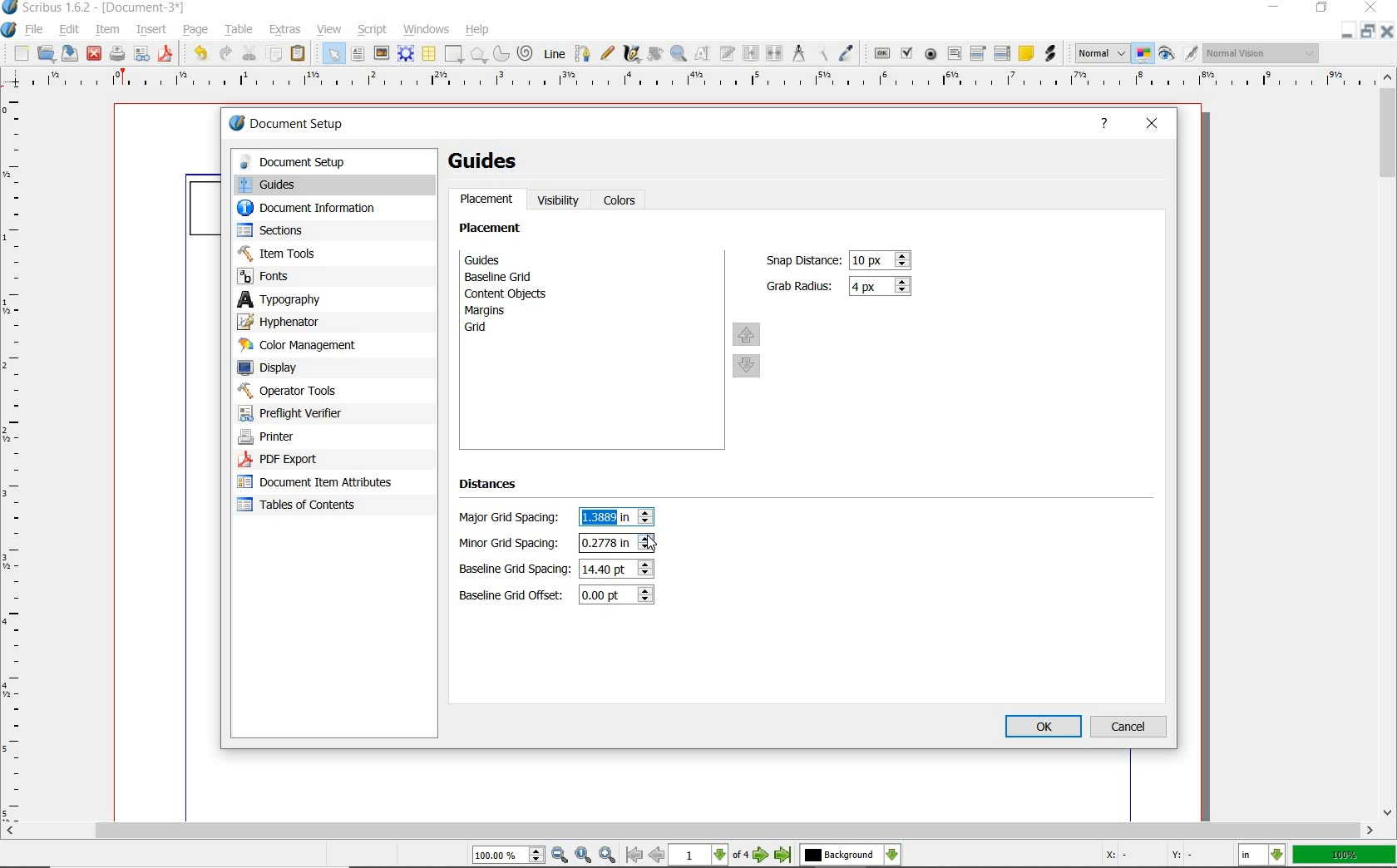  What do you see at coordinates (198, 54) in the screenshot?
I see `undo` at bounding box center [198, 54].